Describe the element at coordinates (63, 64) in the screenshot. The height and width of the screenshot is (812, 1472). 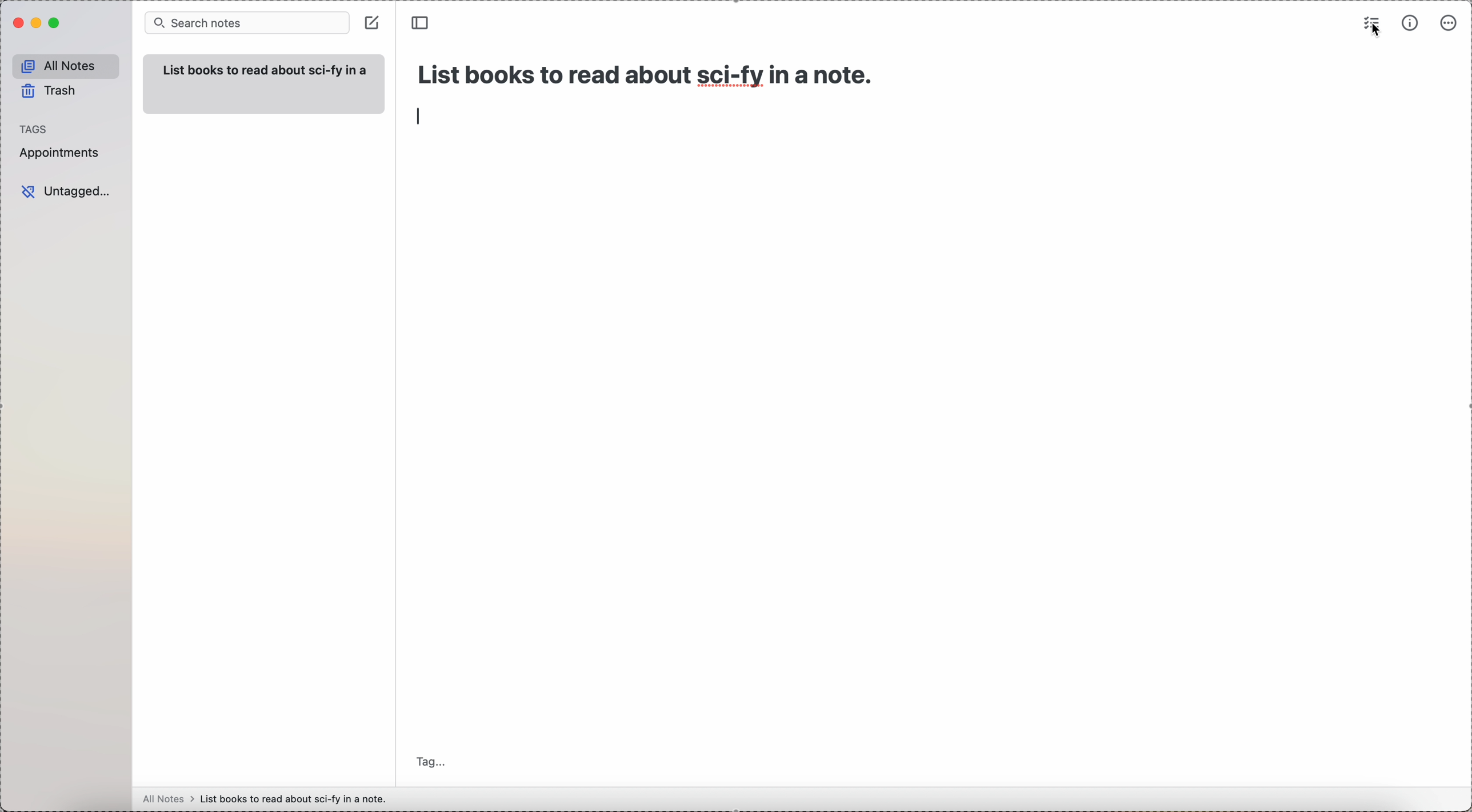
I see `all notes` at that location.